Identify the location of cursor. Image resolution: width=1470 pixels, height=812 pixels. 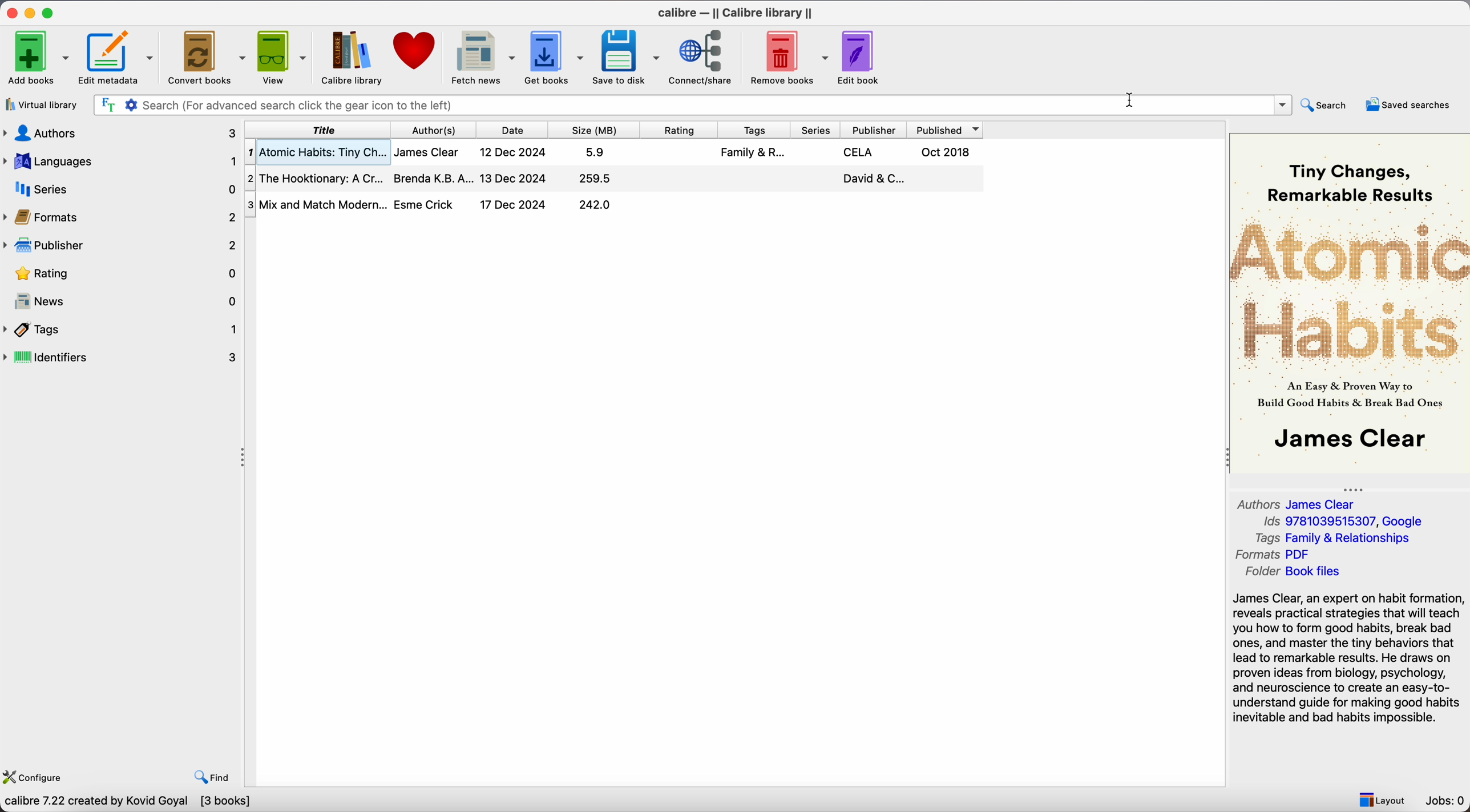
(546, 67).